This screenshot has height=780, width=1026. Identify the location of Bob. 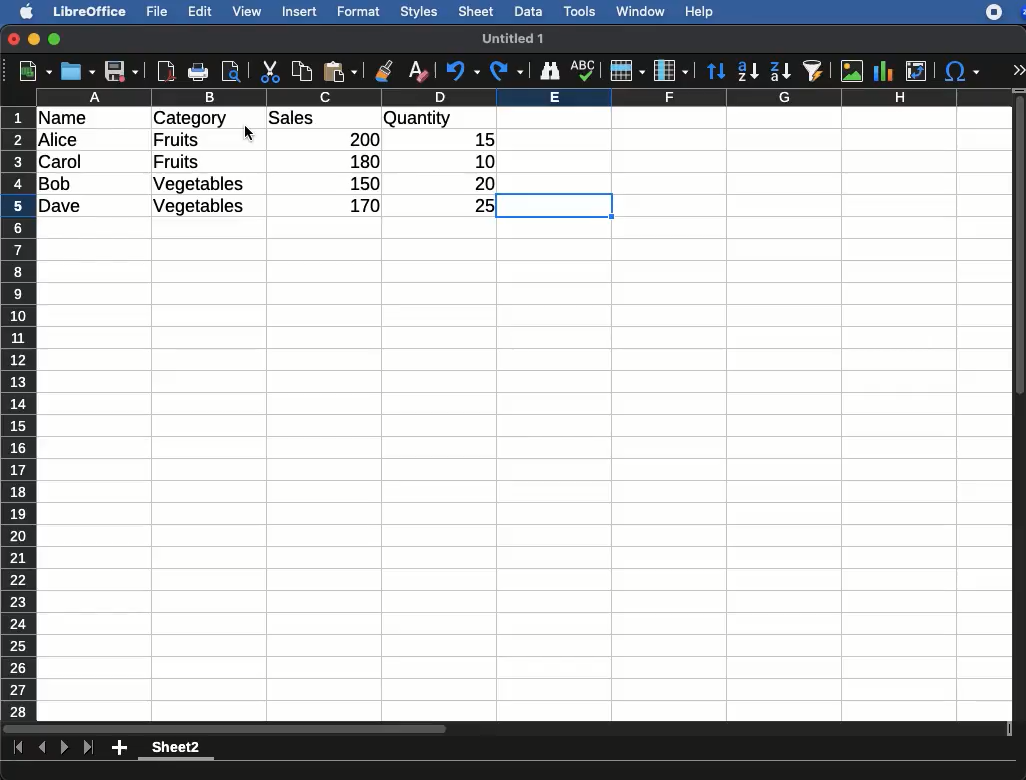
(56, 185).